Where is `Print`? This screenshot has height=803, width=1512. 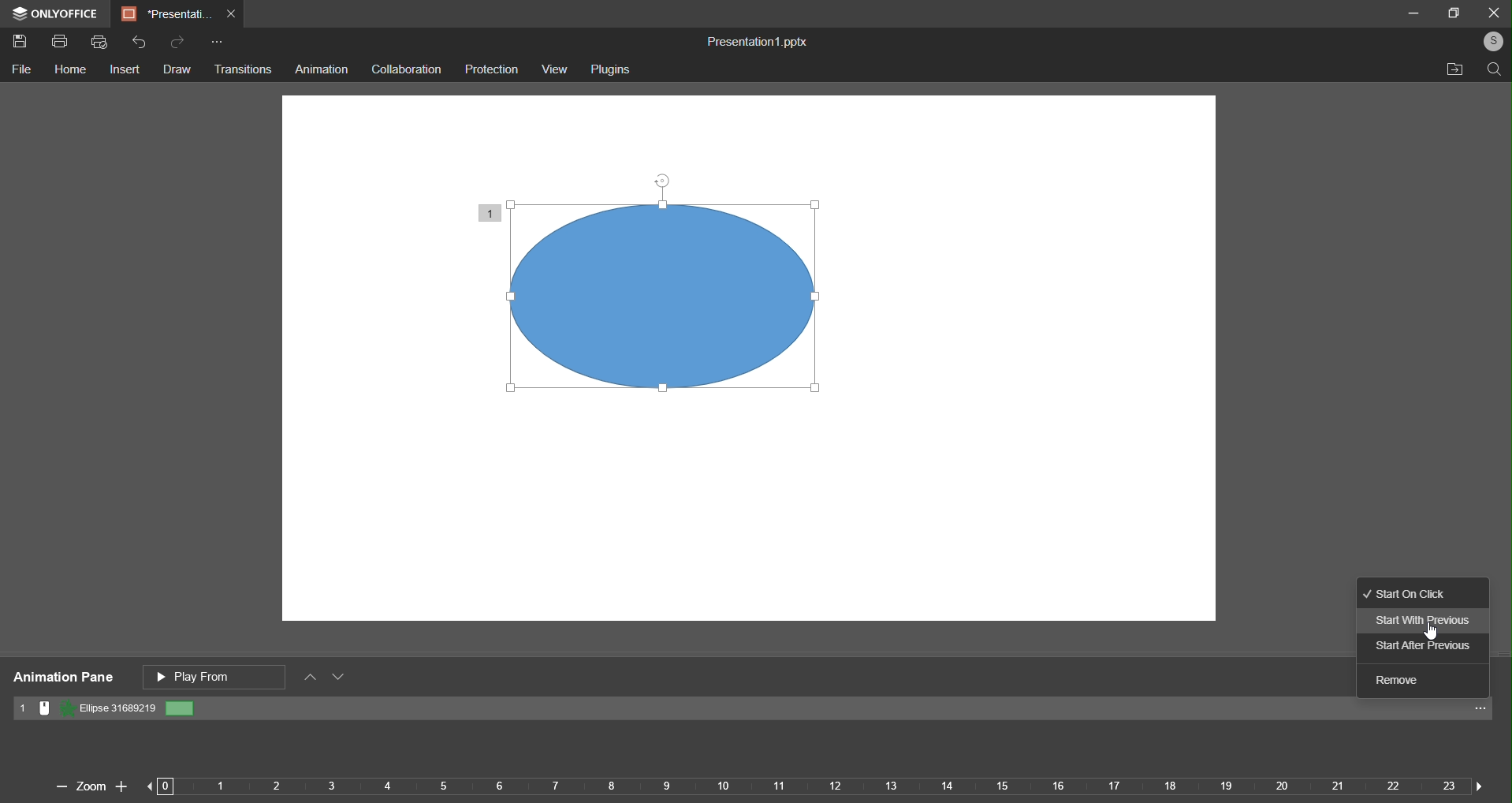 Print is located at coordinates (59, 43).